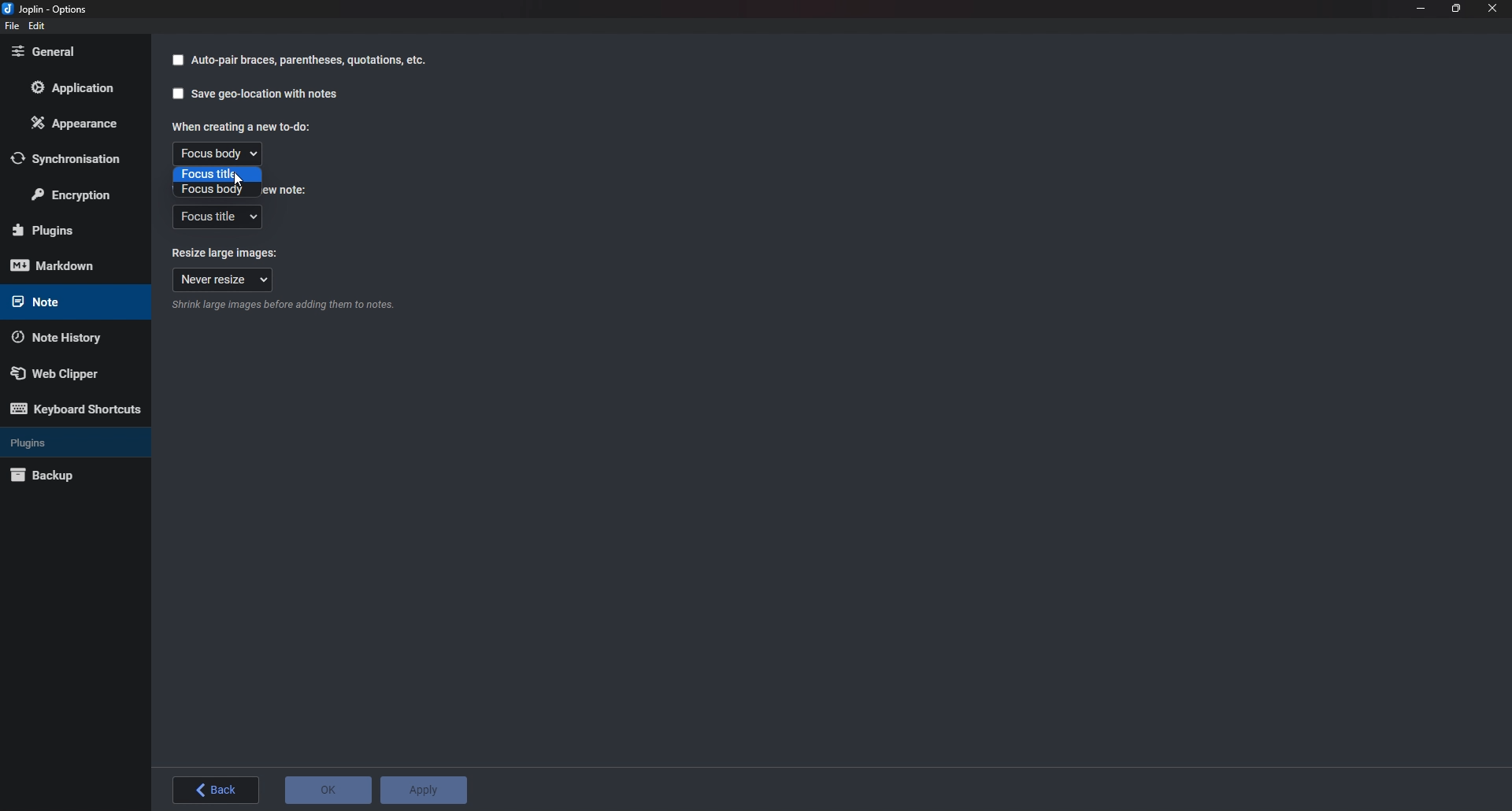  I want to click on autopair braces parenthesis quotation, so click(310, 62).